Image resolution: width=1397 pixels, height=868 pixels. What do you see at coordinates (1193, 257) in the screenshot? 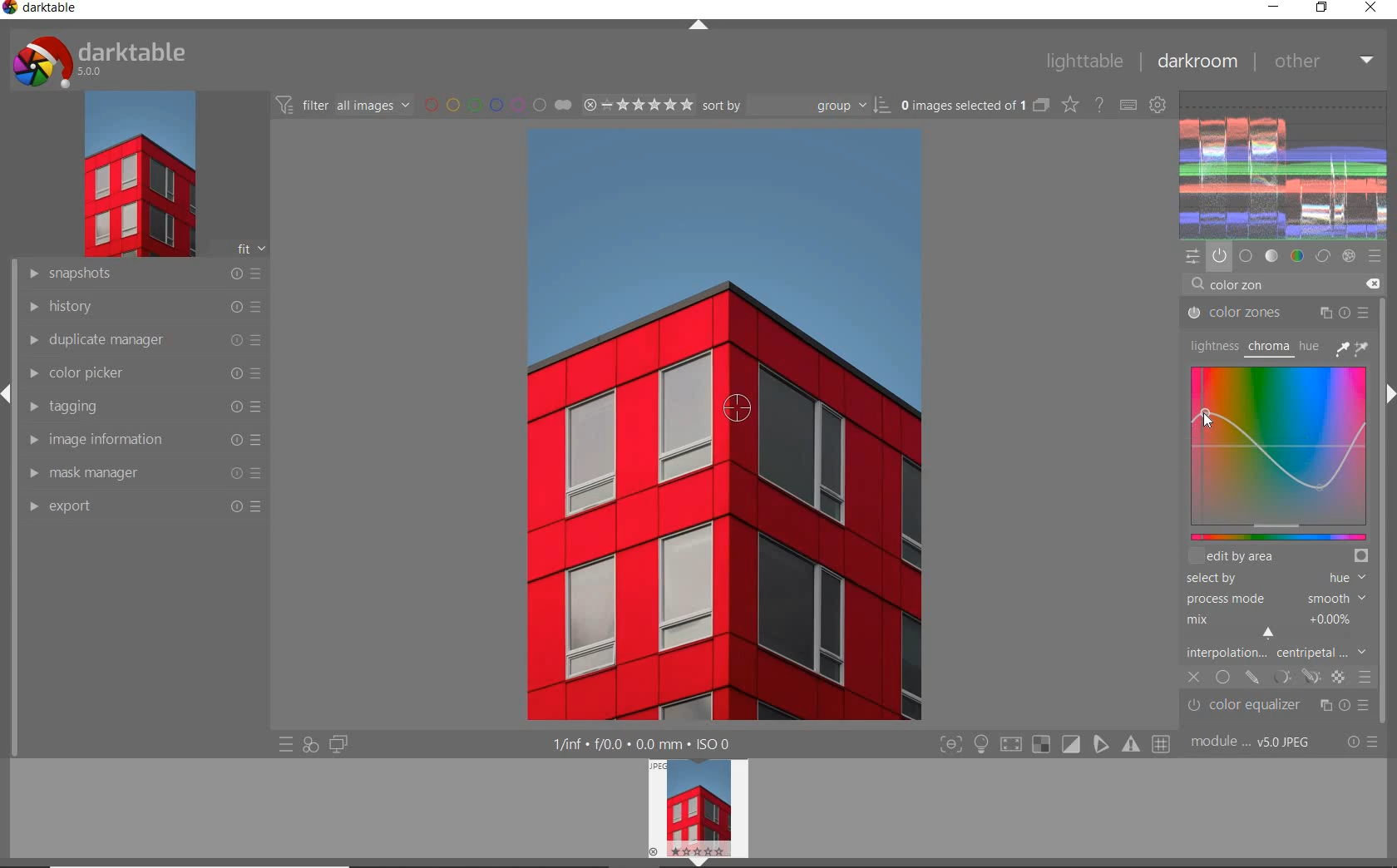
I see `quick access panel` at bounding box center [1193, 257].